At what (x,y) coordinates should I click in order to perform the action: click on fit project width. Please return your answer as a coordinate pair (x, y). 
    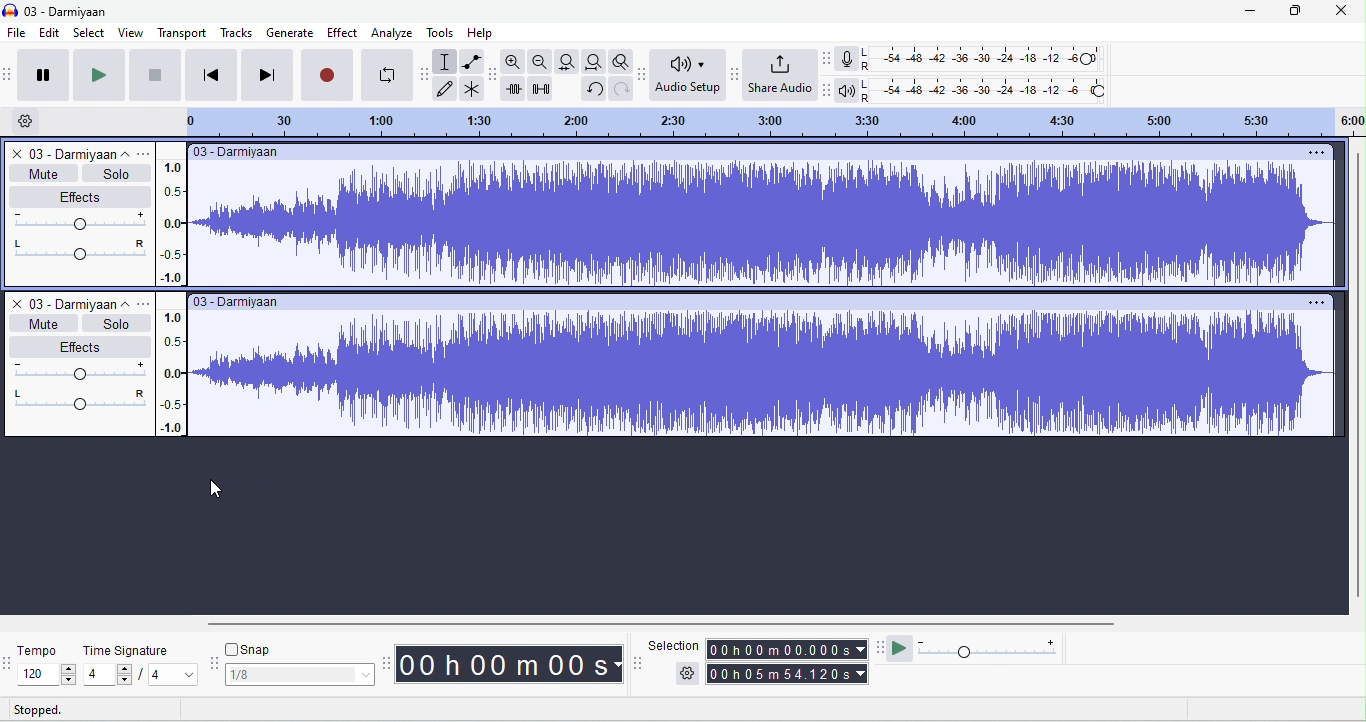
    Looking at the image, I should click on (593, 63).